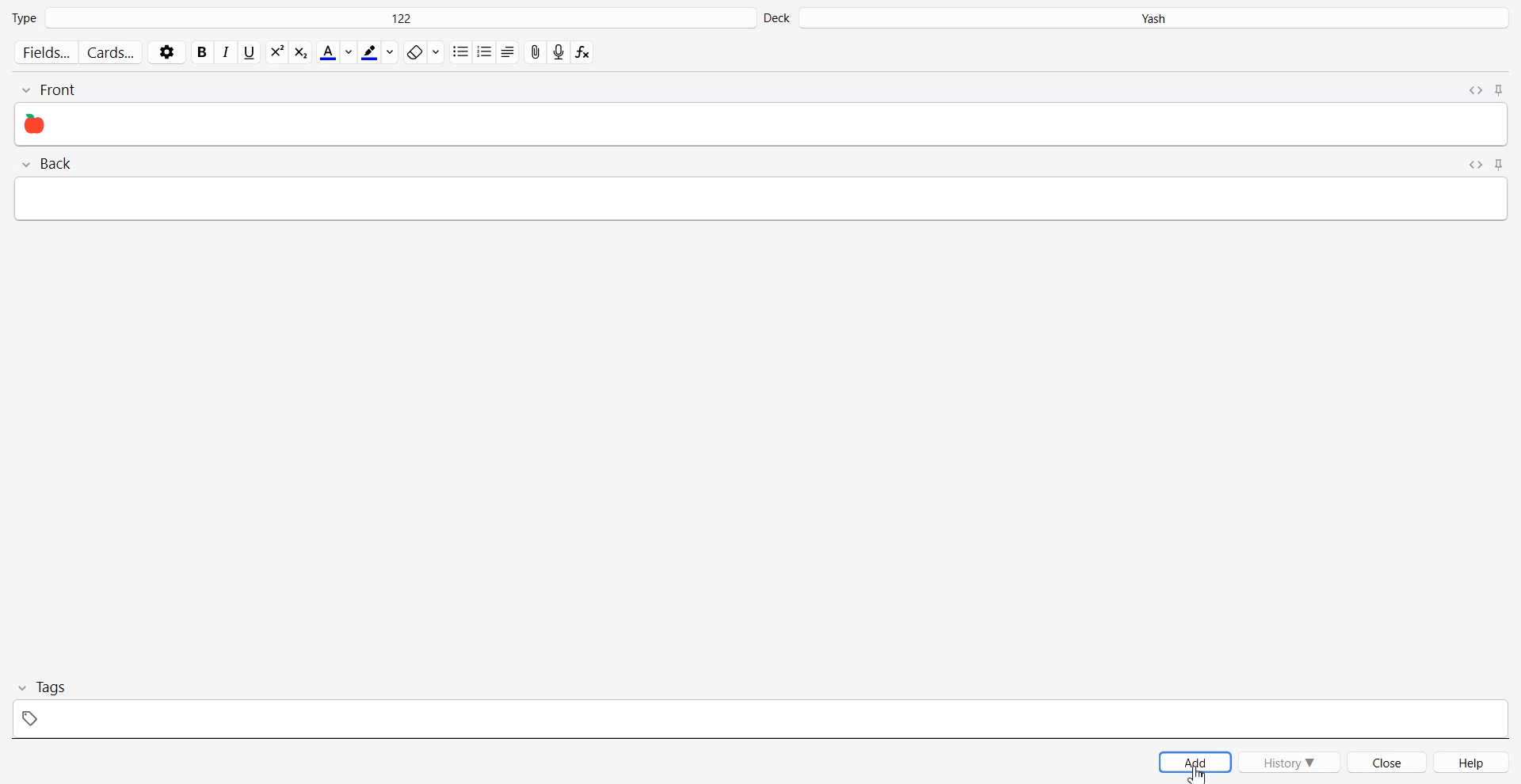  Describe the element at coordinates (761, 89) in the screenshot. I see `Front` at that location.